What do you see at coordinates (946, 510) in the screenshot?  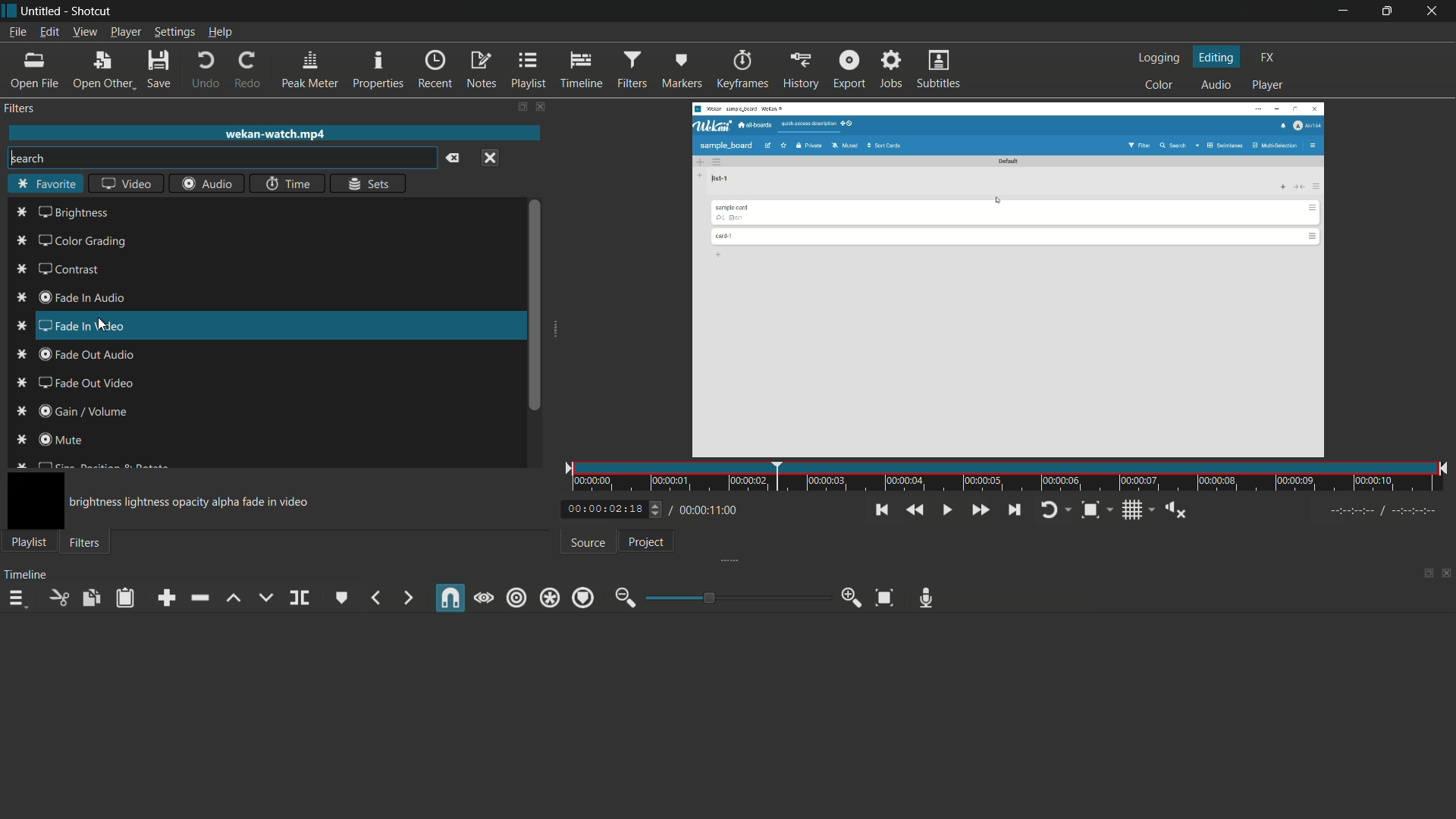 I see `toggle play or pause` at bounding box center [946, 510].